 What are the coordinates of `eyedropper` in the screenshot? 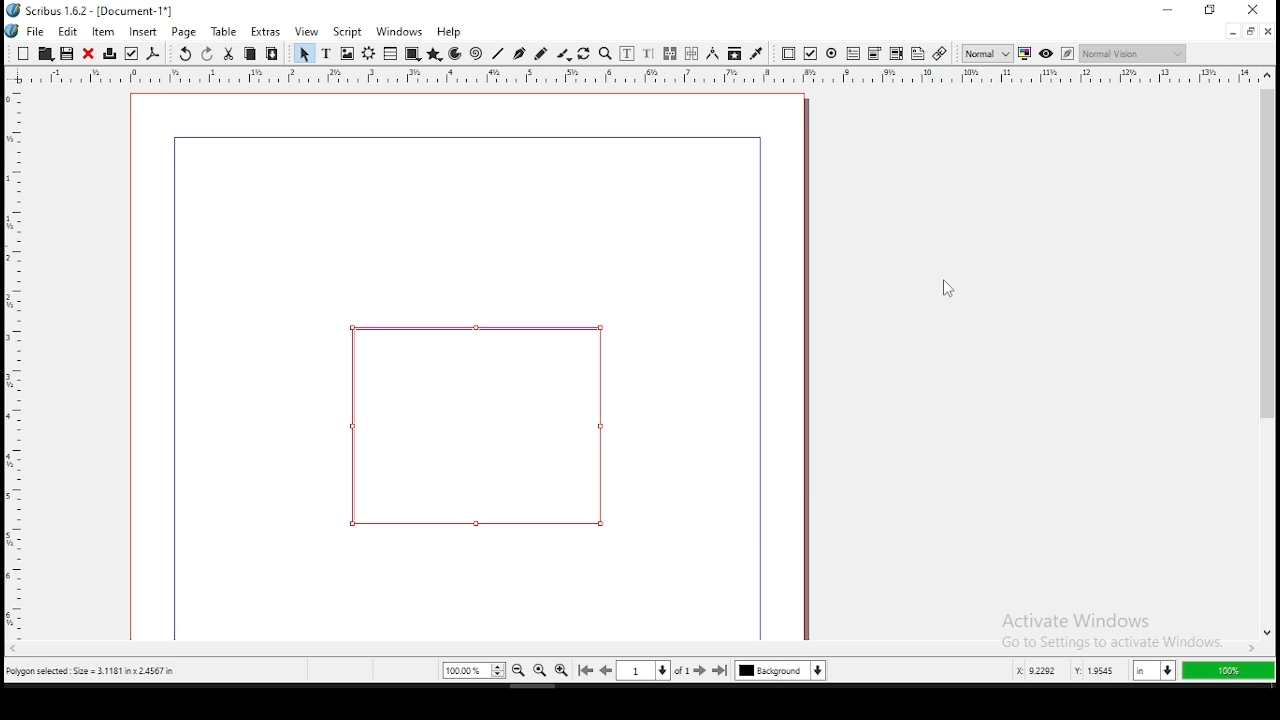 It's located at (757, 55).